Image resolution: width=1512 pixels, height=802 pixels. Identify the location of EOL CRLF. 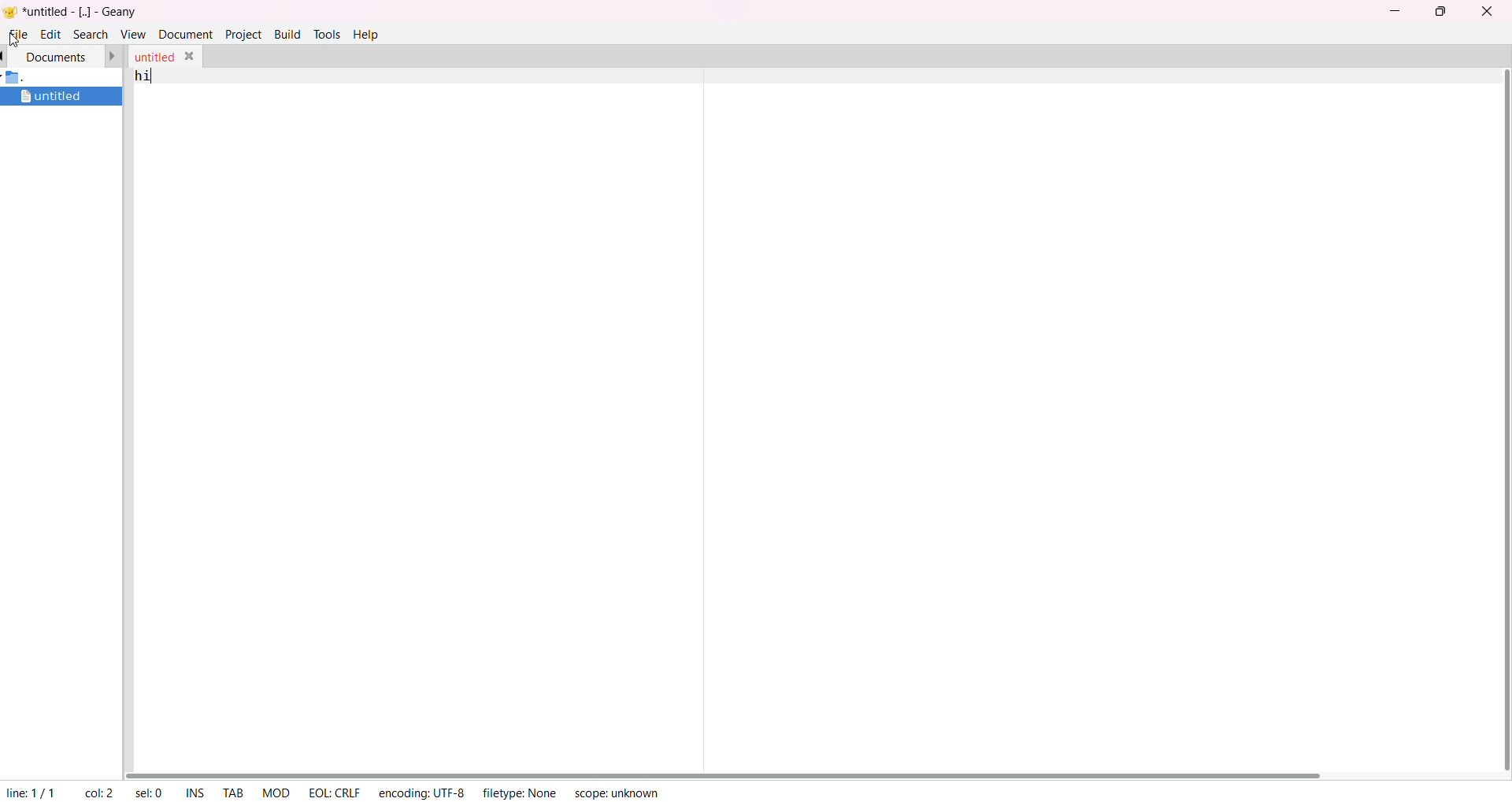
(335, 793).